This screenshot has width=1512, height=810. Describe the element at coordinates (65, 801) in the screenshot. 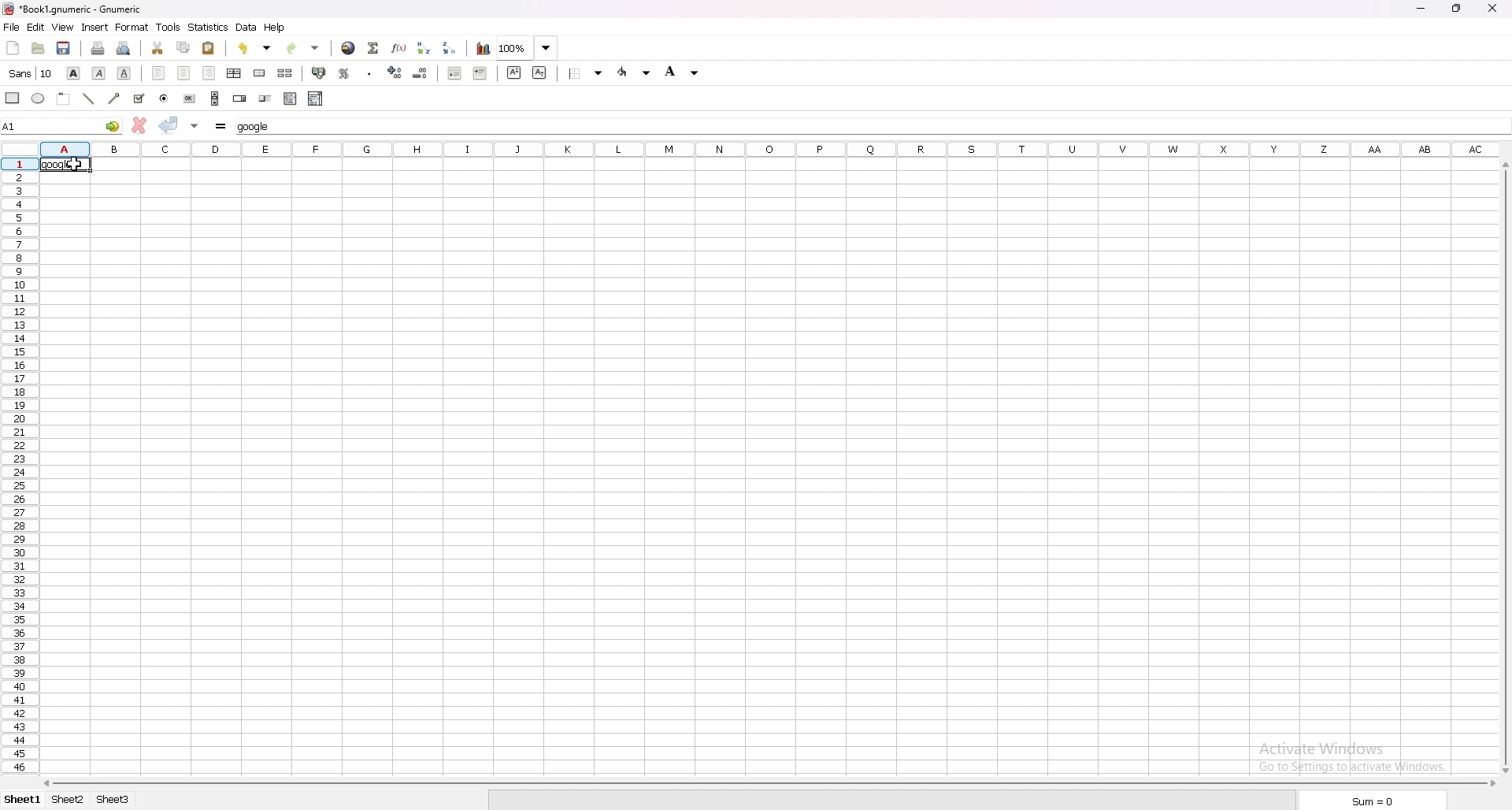

I see `Sheet 2` at that location.